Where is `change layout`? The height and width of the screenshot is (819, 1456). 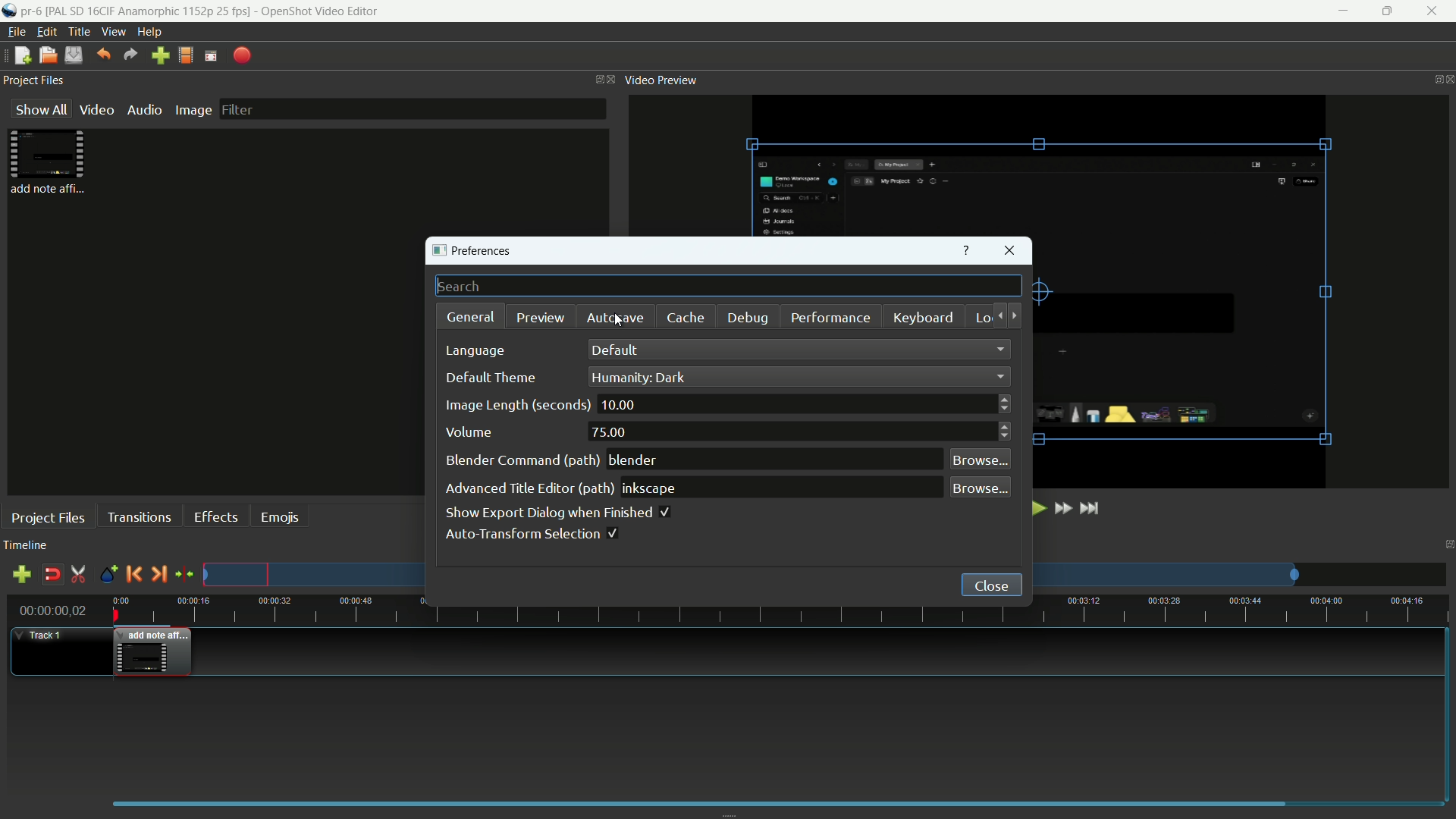 change layout is located at coordinates (1447, 544).